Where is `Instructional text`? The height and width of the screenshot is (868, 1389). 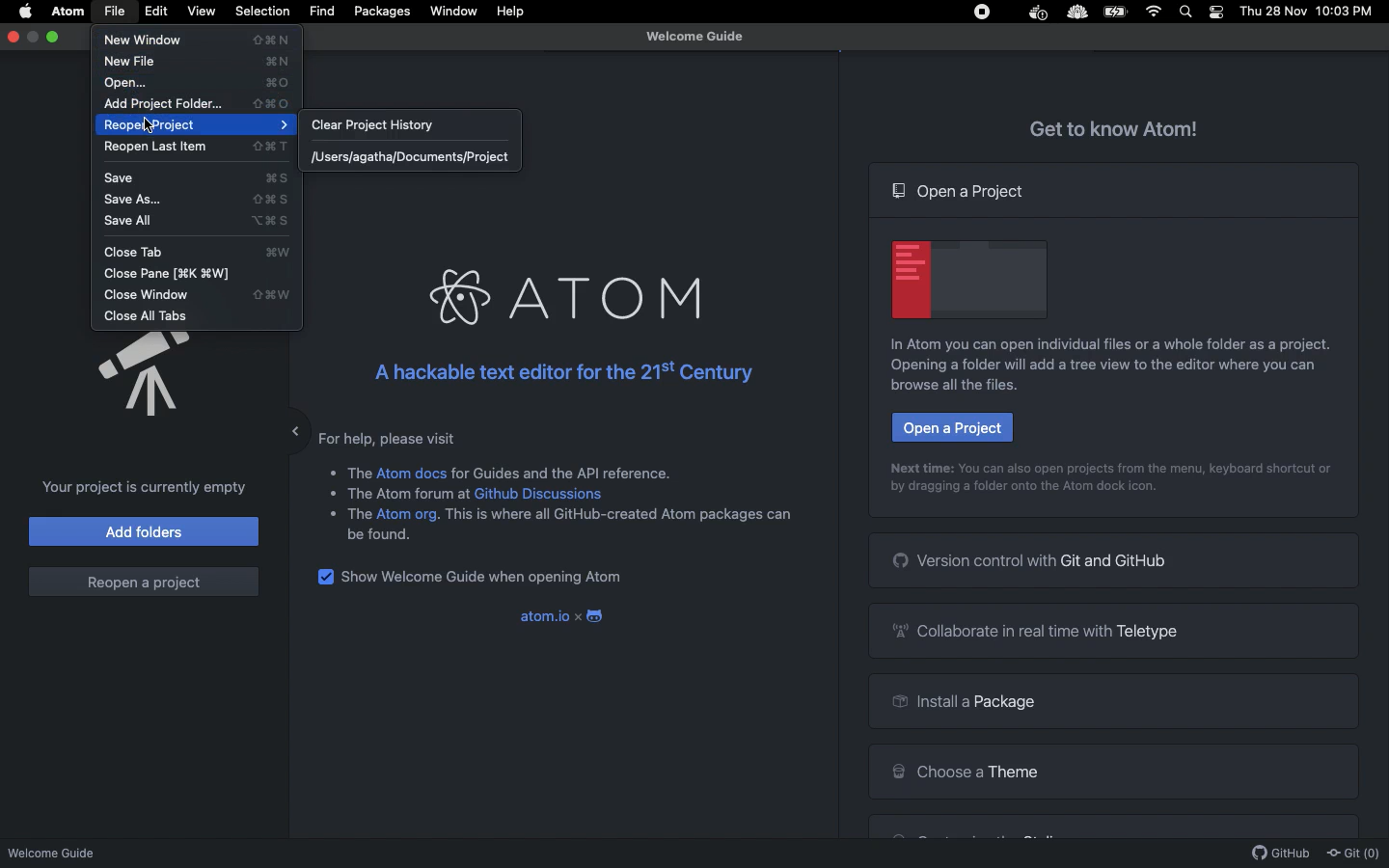
Instructional text is located at coordinates (1096, 375).